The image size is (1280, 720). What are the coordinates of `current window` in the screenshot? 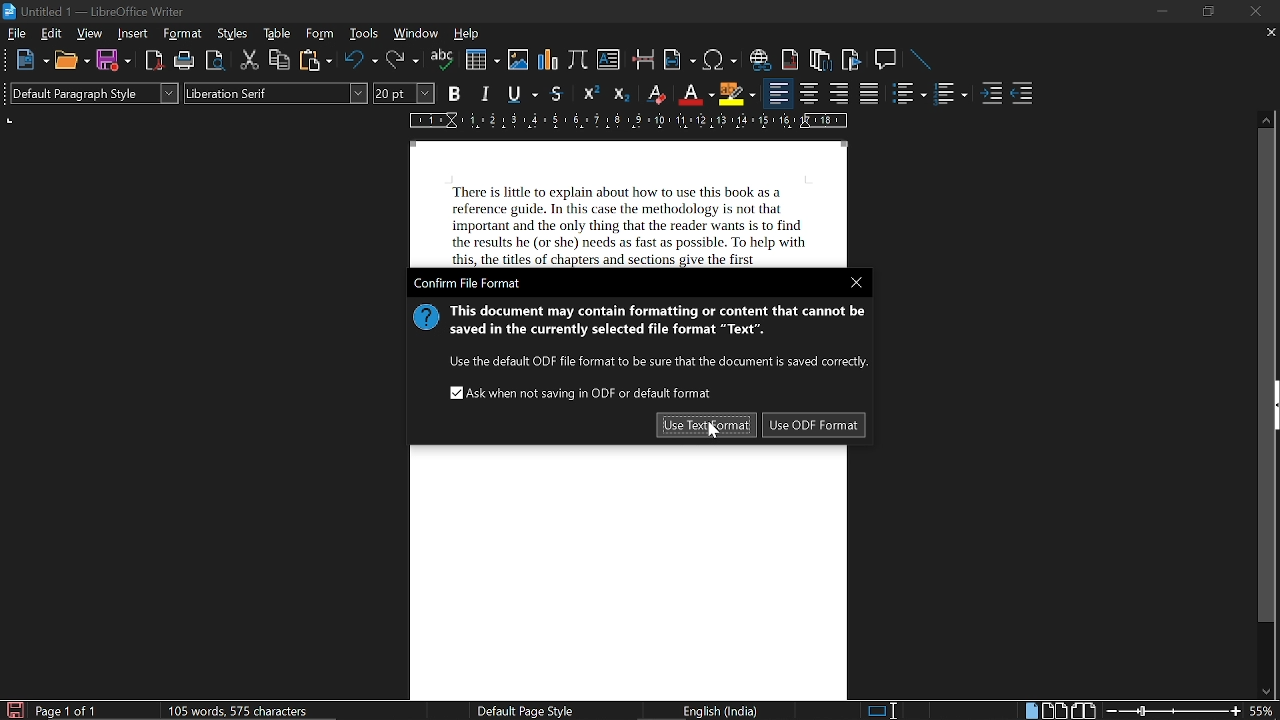 It's located at (469, 282).